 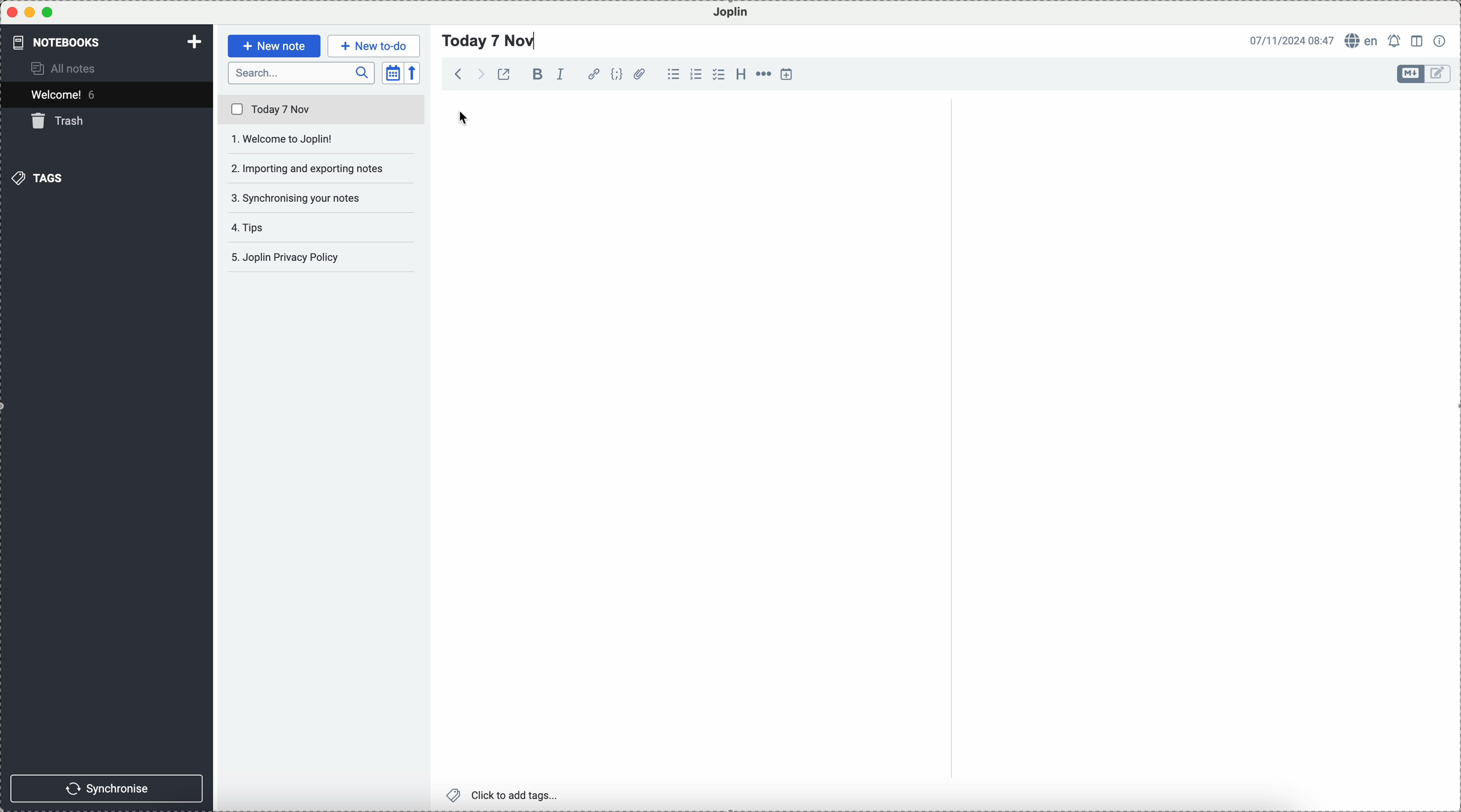 I want to click on trash, so click(x=60, y=121).